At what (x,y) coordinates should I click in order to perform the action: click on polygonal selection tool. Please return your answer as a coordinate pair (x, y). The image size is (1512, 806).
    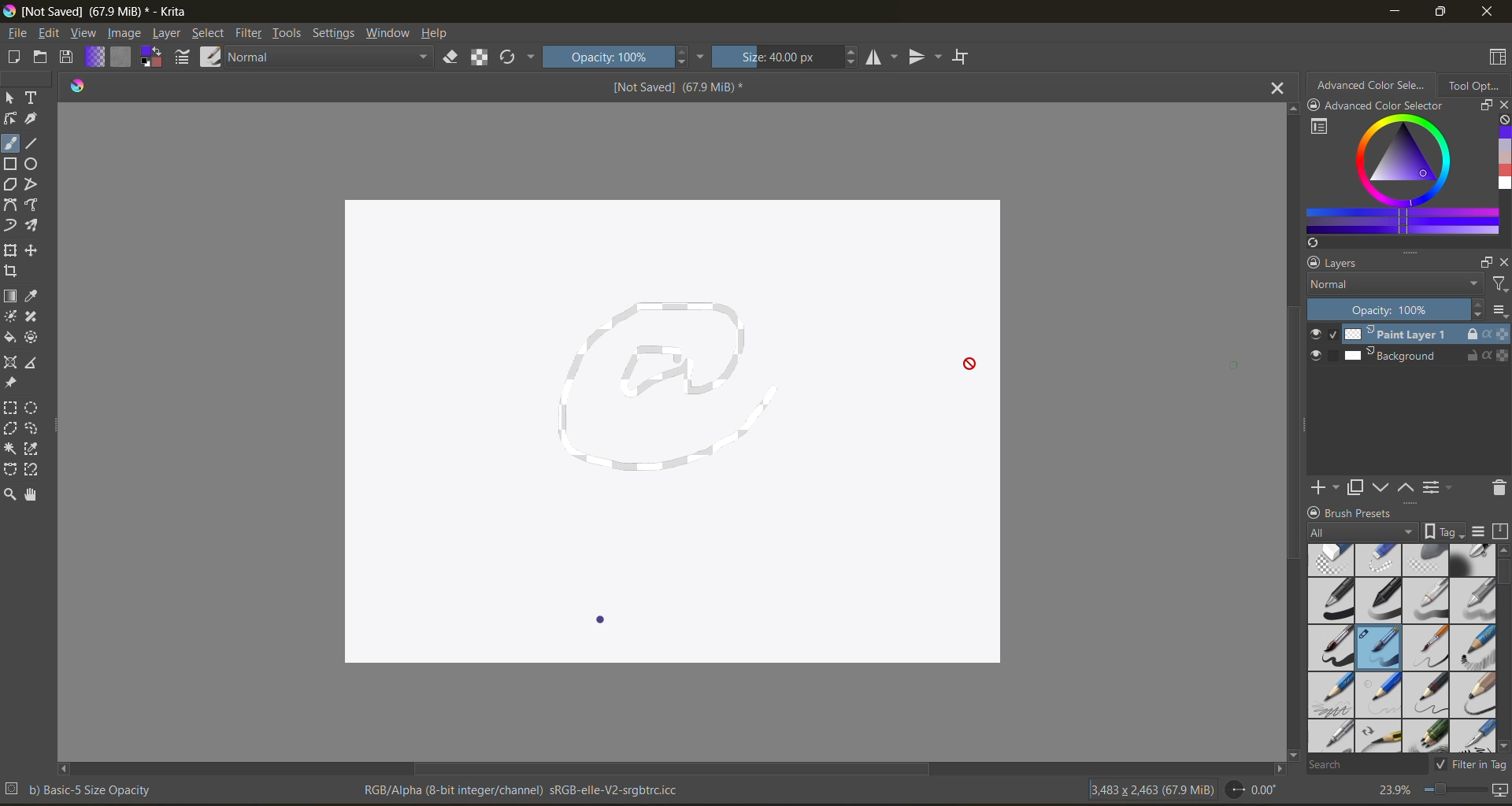
    Looking at the image, I should click on (10, 427).